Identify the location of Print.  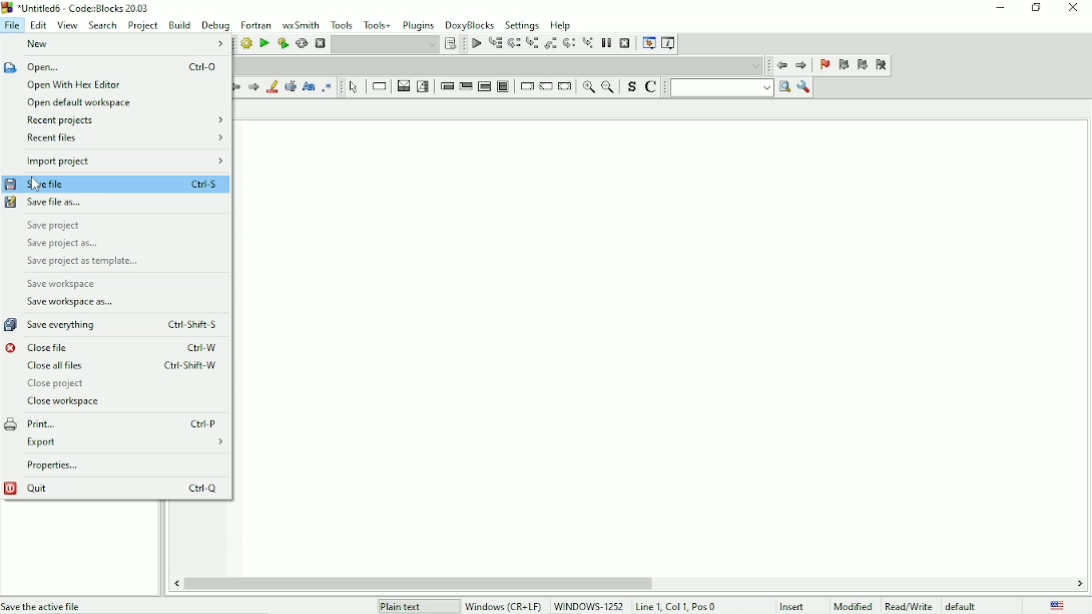
(112, 423).